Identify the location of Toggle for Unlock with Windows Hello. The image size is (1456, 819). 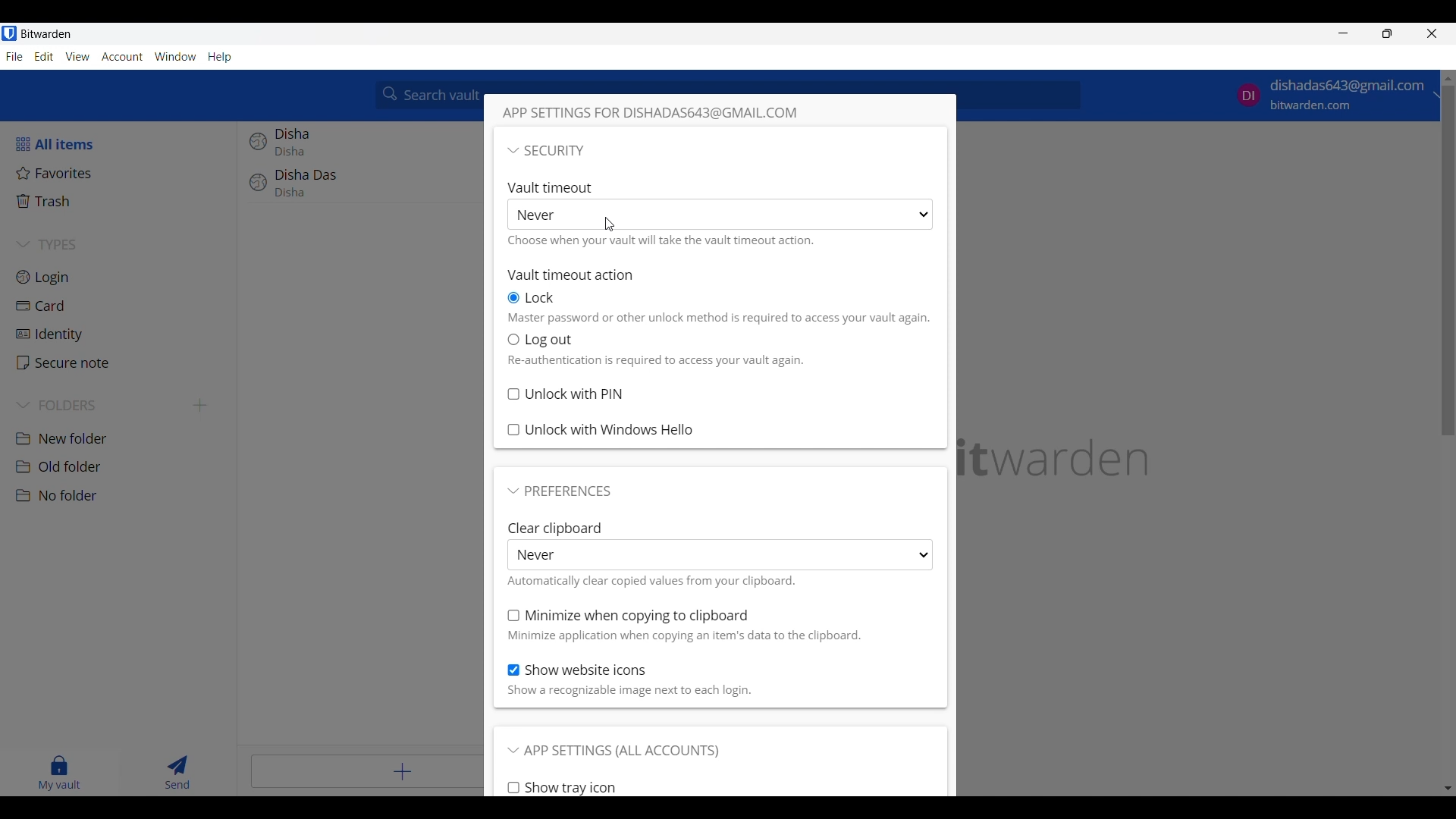
(601, 430).